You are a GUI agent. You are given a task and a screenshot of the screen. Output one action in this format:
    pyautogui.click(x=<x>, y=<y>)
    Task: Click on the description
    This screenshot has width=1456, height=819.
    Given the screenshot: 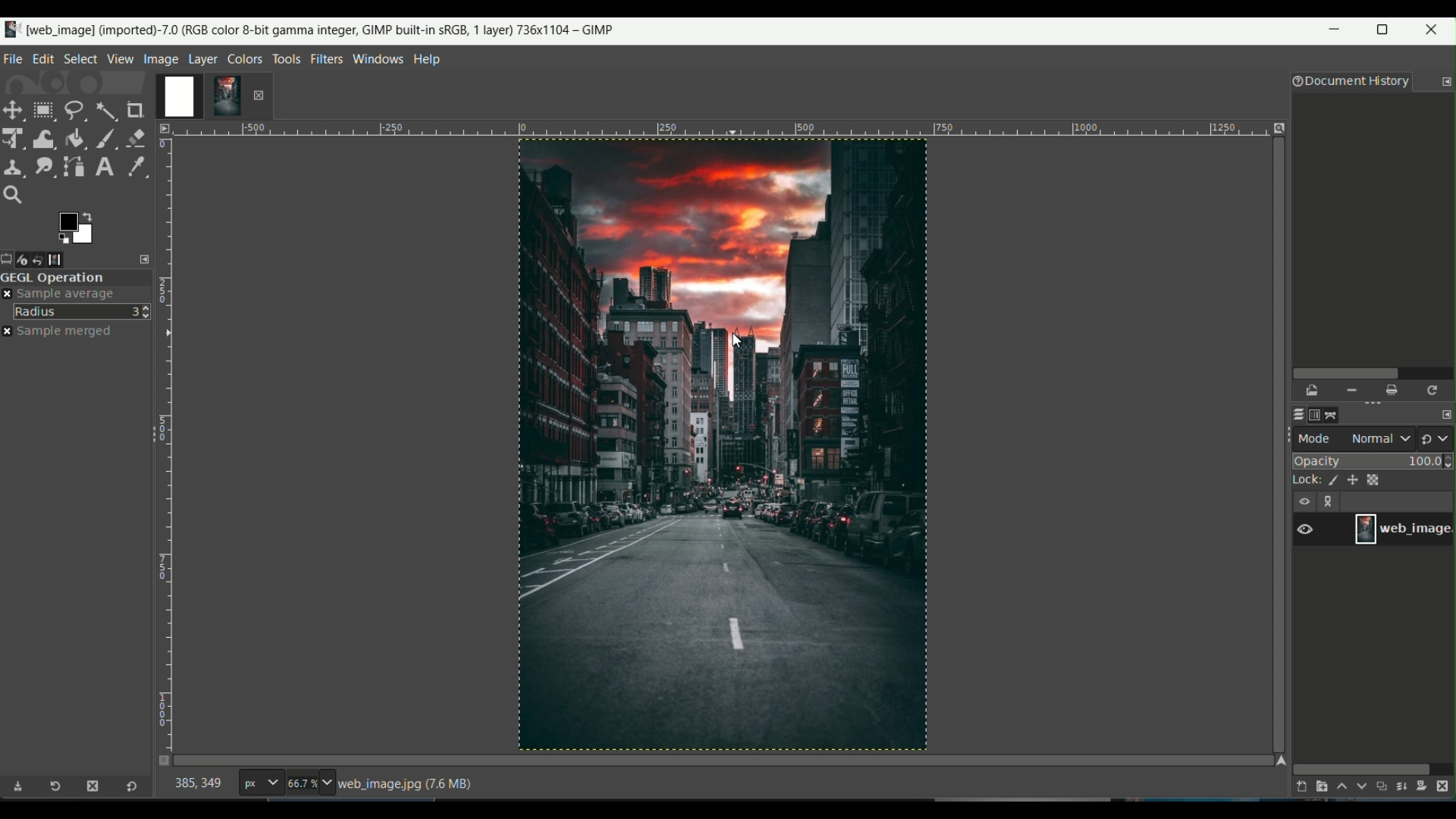 What is the action you would take?
    pyautogui.click(x=409, y=784)
    